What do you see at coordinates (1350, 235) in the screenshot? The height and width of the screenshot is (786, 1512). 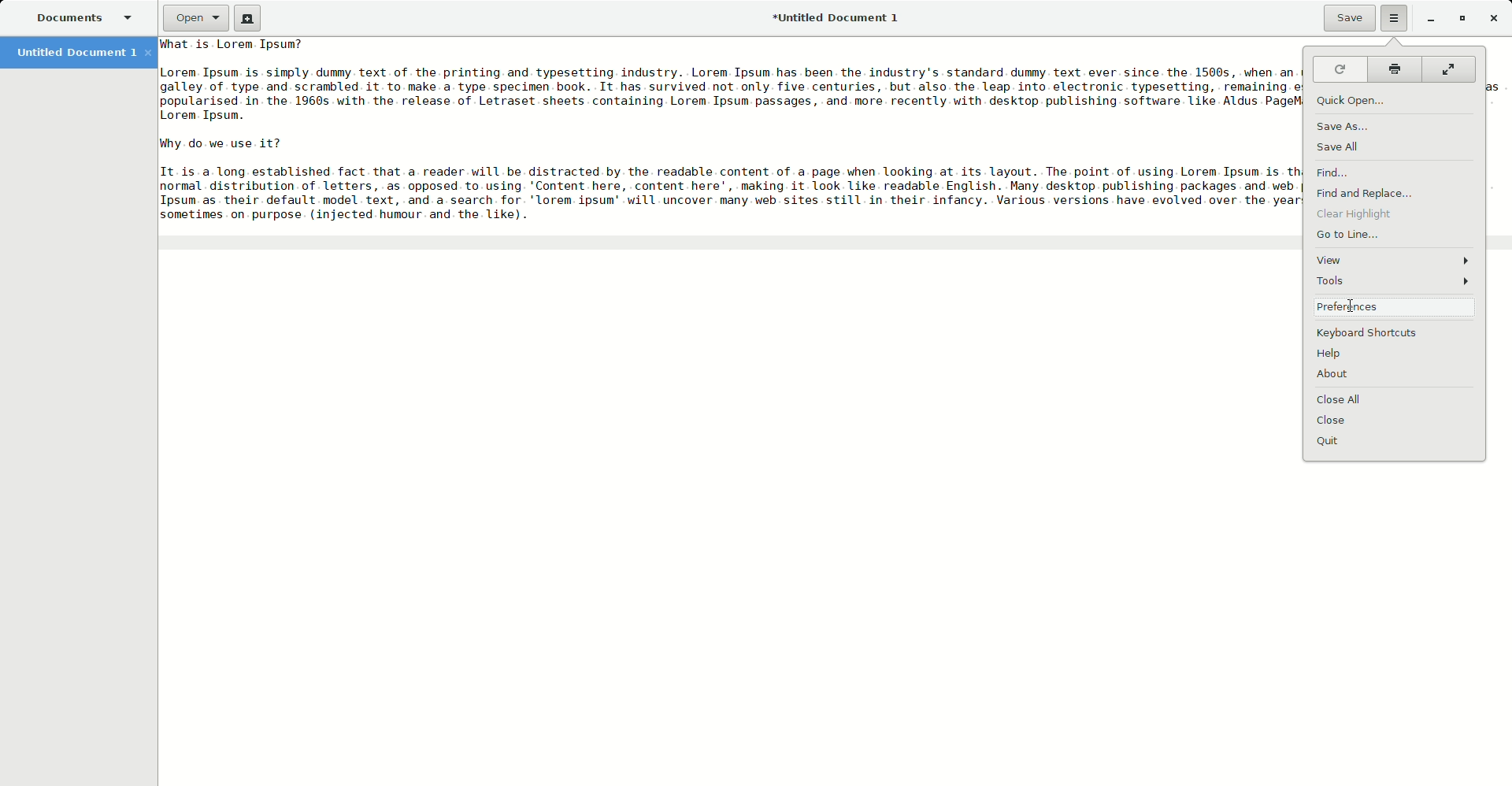 I see `Go to Line` at bounding box center [1350, 235].